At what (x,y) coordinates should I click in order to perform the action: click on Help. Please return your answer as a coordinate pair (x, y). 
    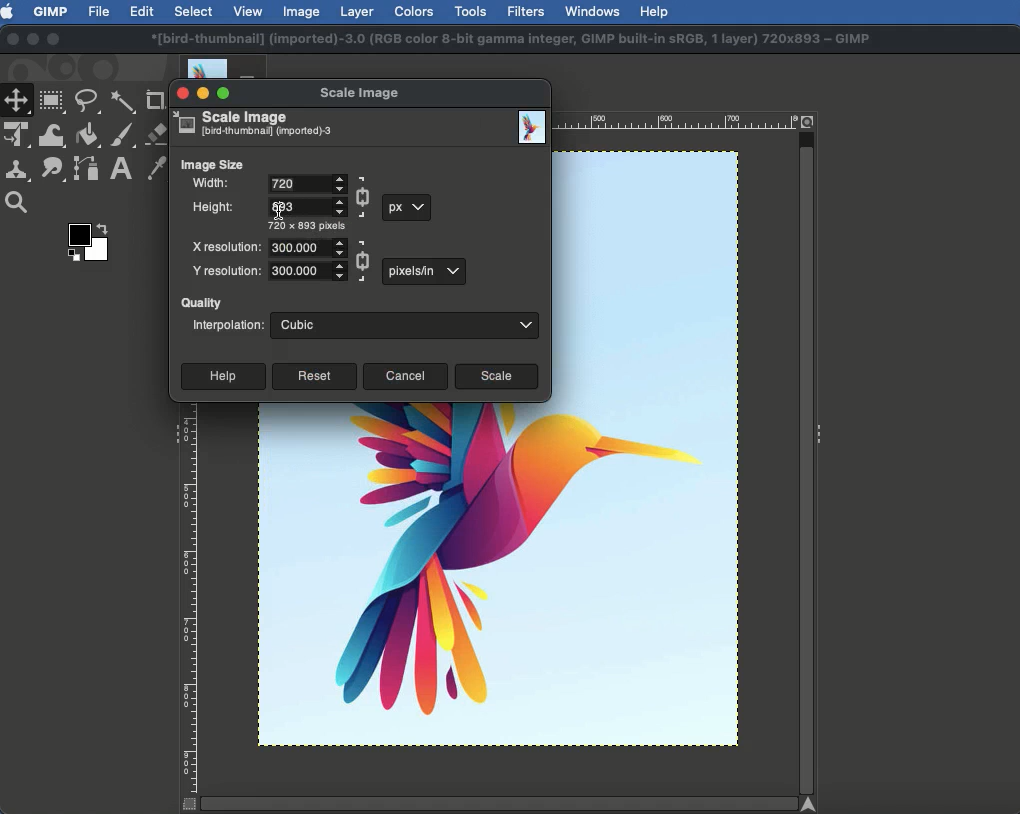
    Looking at the image, I should click on (220, 376).